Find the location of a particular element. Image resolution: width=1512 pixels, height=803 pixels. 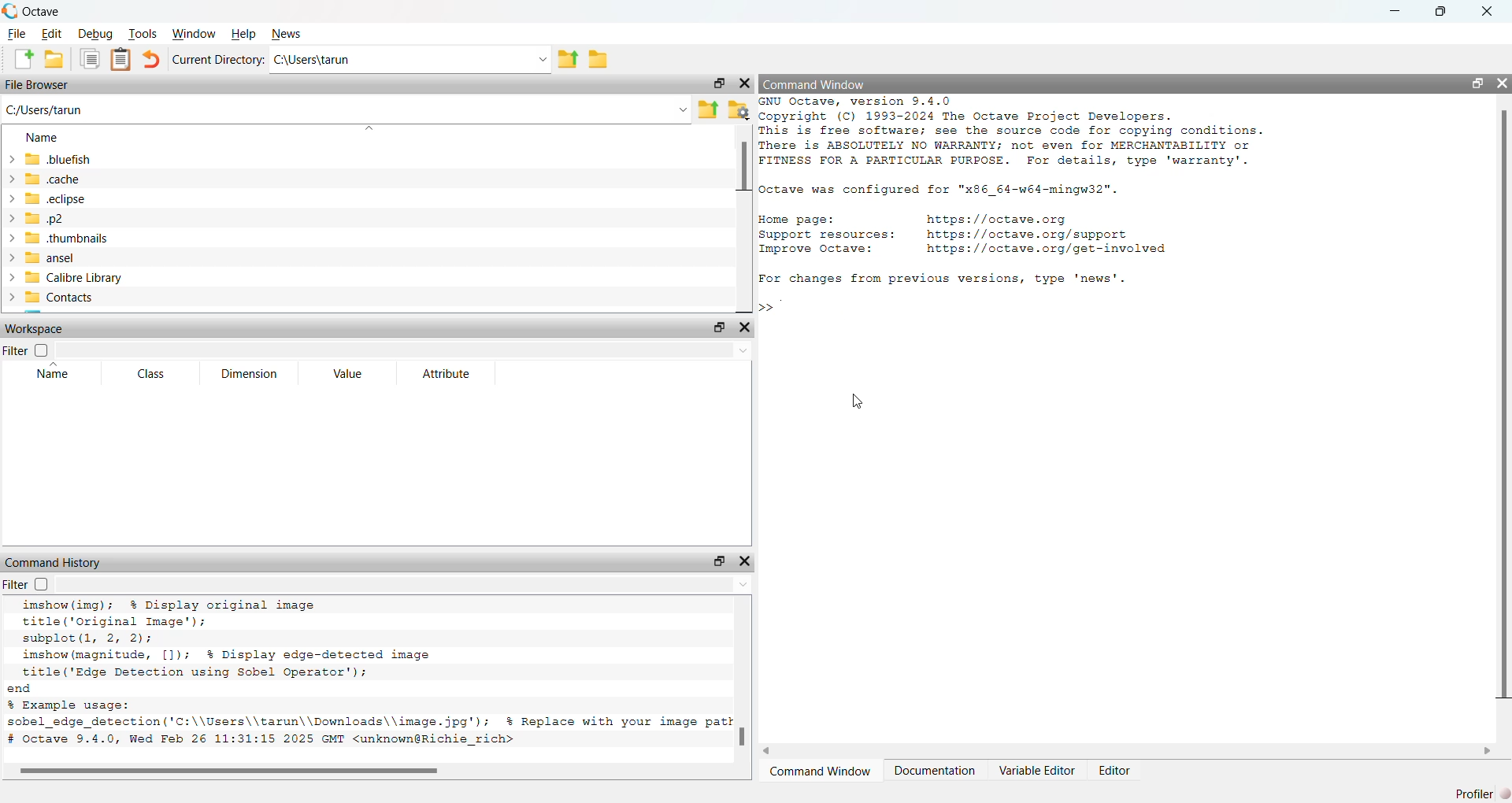

Help is located at coordinates (244, 35).